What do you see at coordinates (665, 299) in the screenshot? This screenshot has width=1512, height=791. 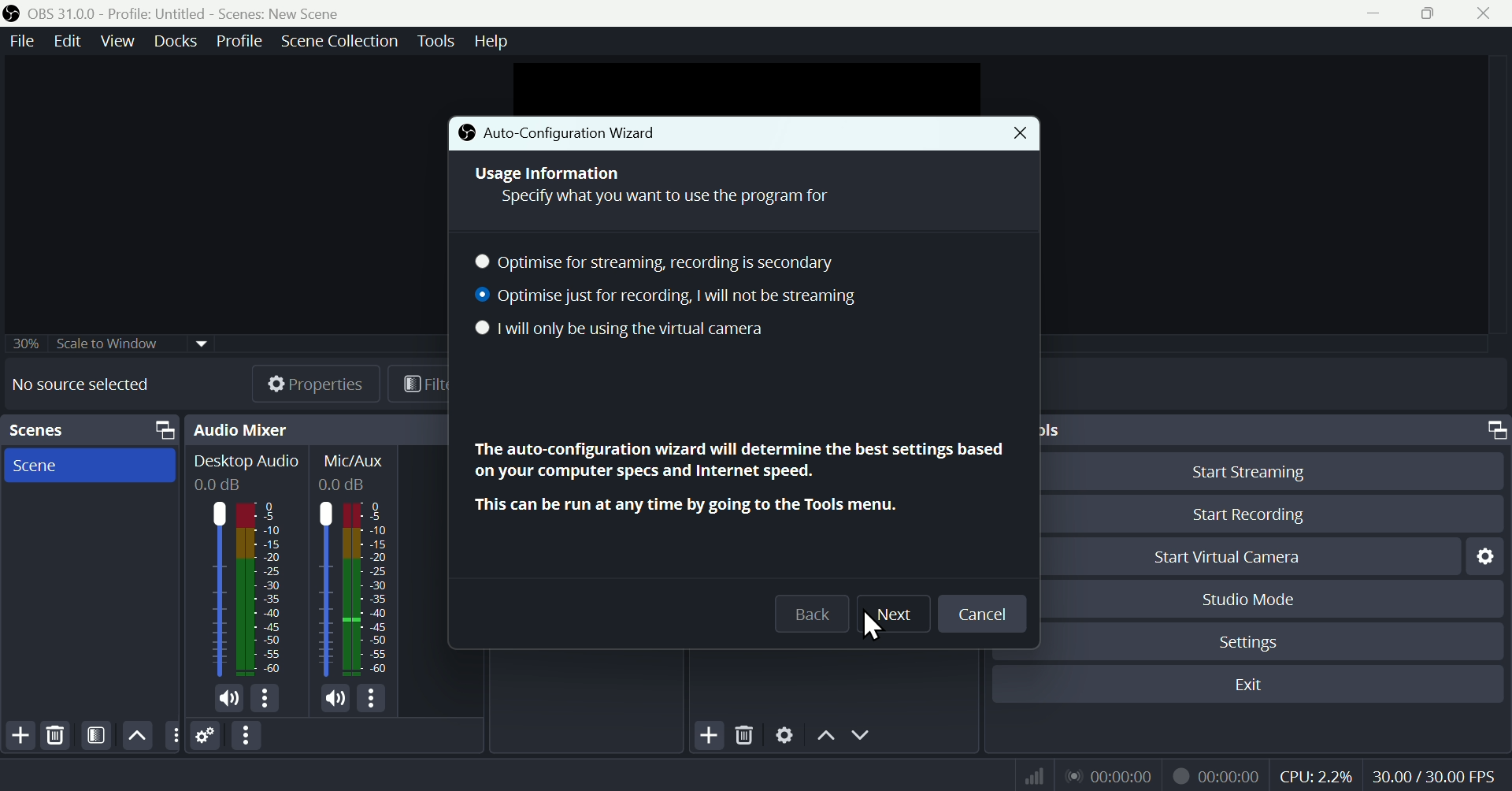 I see `@ Optimise just tor recoraing, | will not be streaming` at bounding box center [665, 299].